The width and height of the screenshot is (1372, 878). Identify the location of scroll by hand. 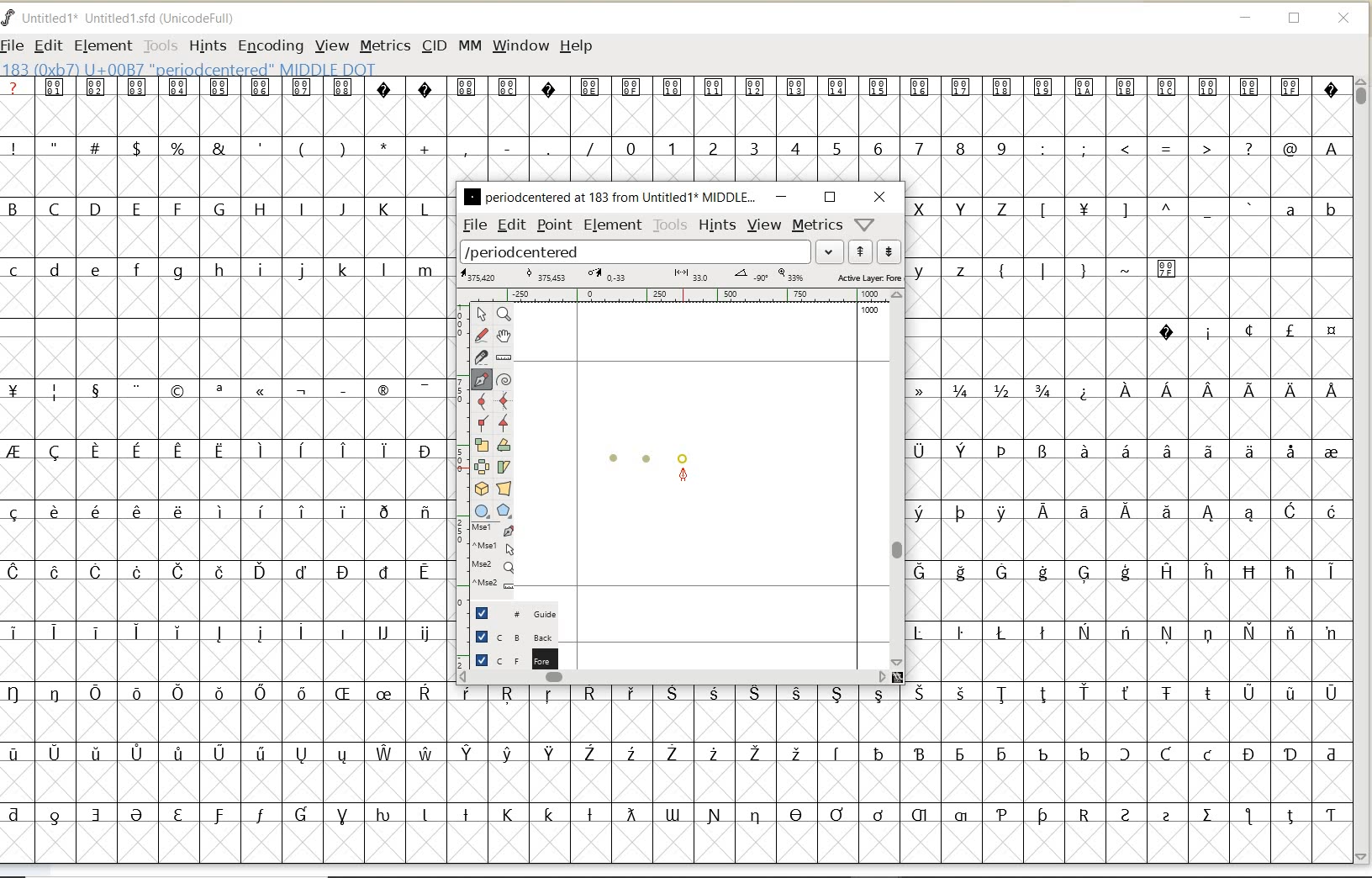
(503, 336).